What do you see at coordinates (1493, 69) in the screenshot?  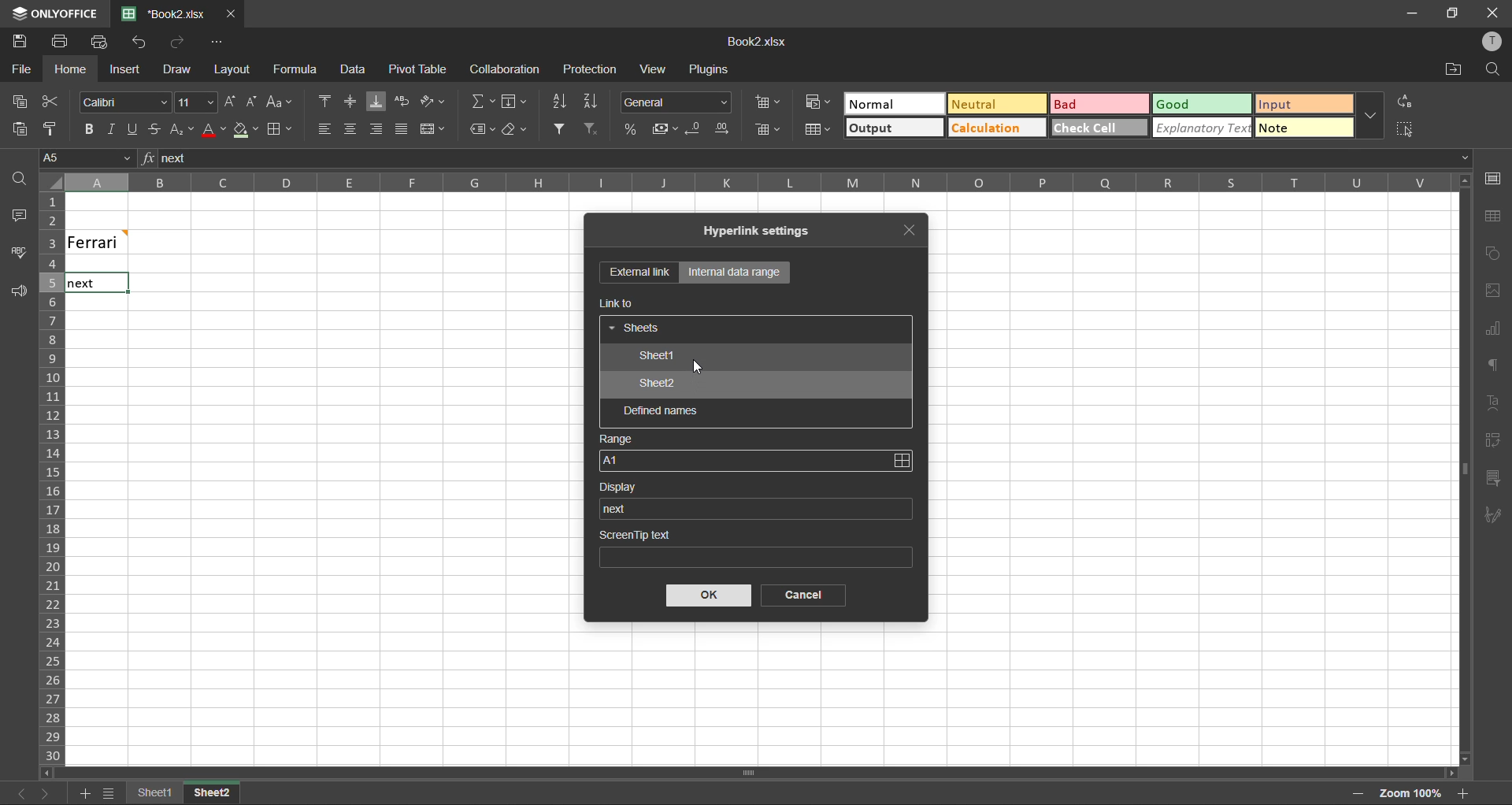 I see `find` at bounding box center [1493, 69].